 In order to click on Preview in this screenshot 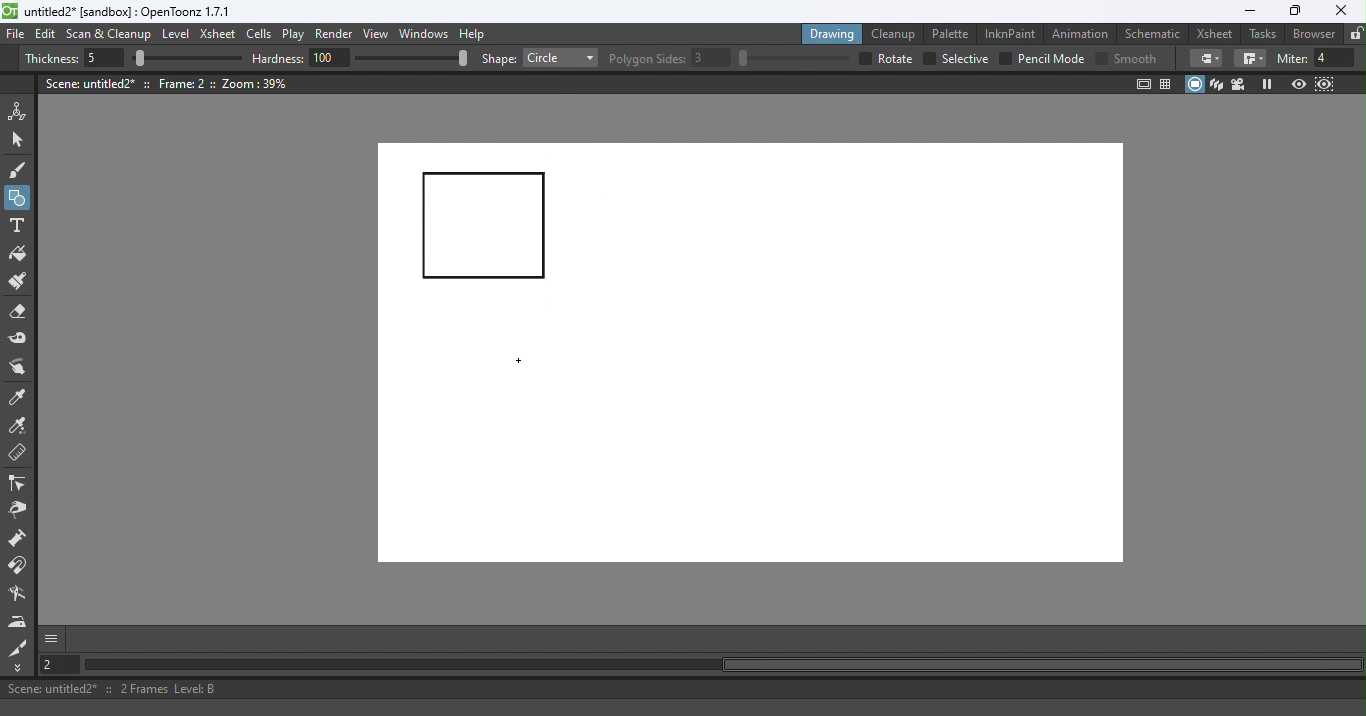, I will do `click(1298, 85)`.